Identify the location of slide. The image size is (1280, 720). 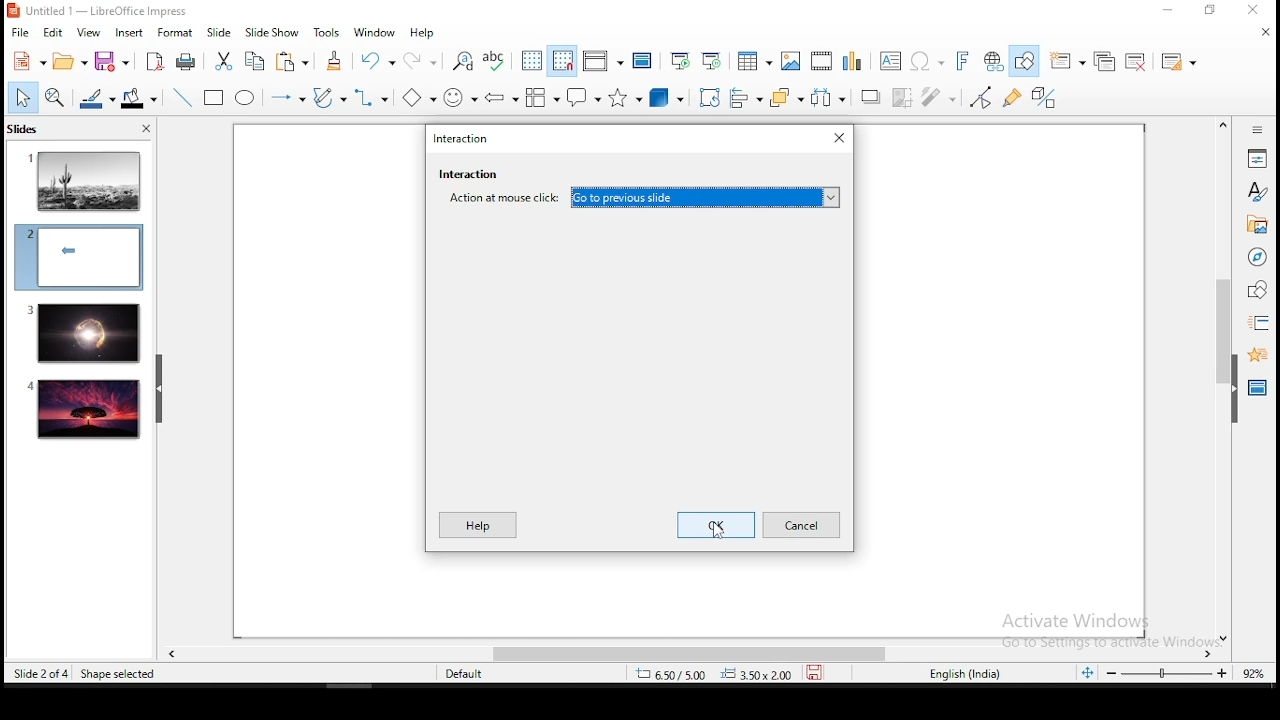
(219, 32).